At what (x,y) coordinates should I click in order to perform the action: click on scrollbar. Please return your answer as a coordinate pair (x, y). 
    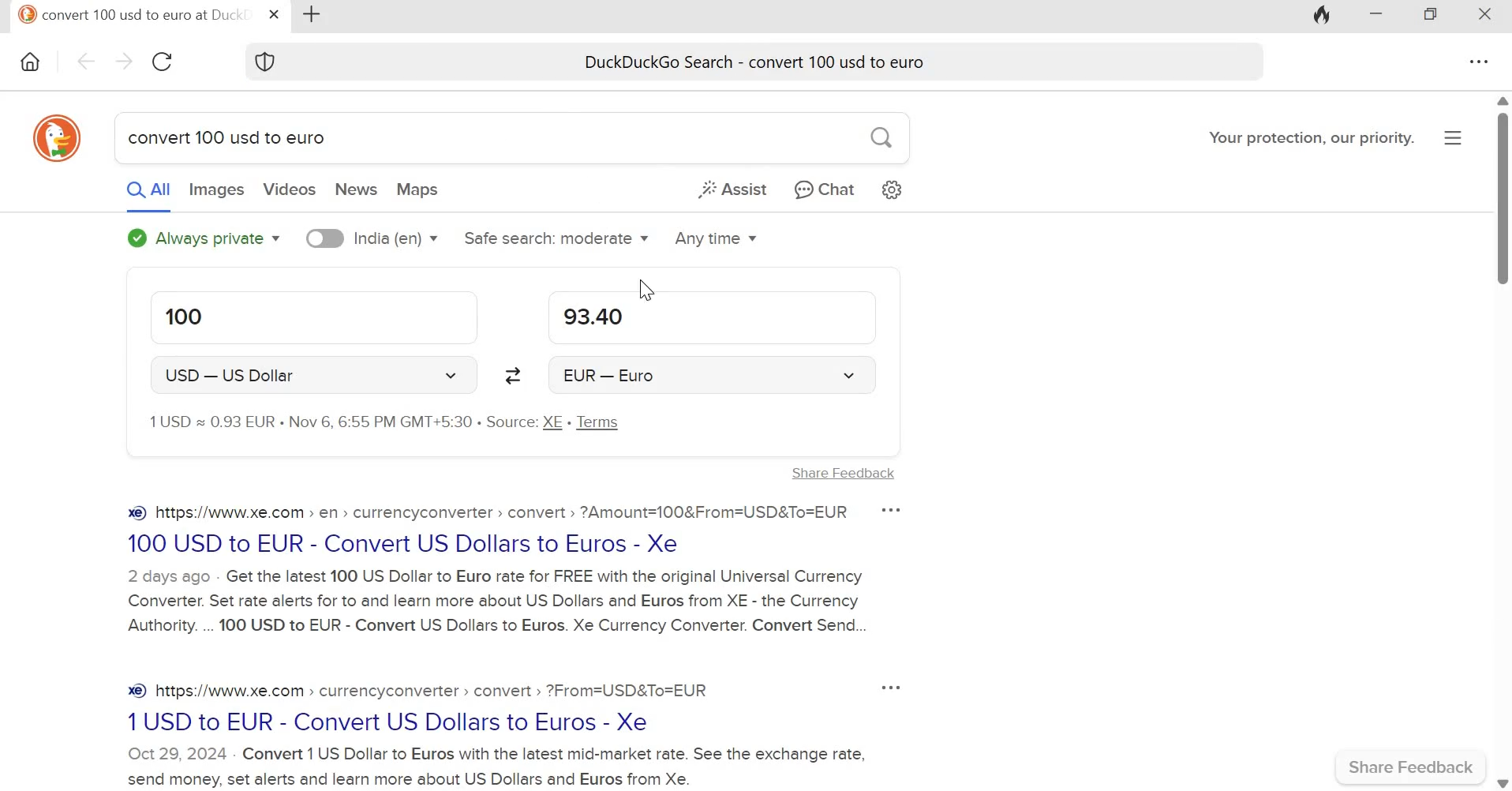
    Looking at the image, I should click on (1503, 441).